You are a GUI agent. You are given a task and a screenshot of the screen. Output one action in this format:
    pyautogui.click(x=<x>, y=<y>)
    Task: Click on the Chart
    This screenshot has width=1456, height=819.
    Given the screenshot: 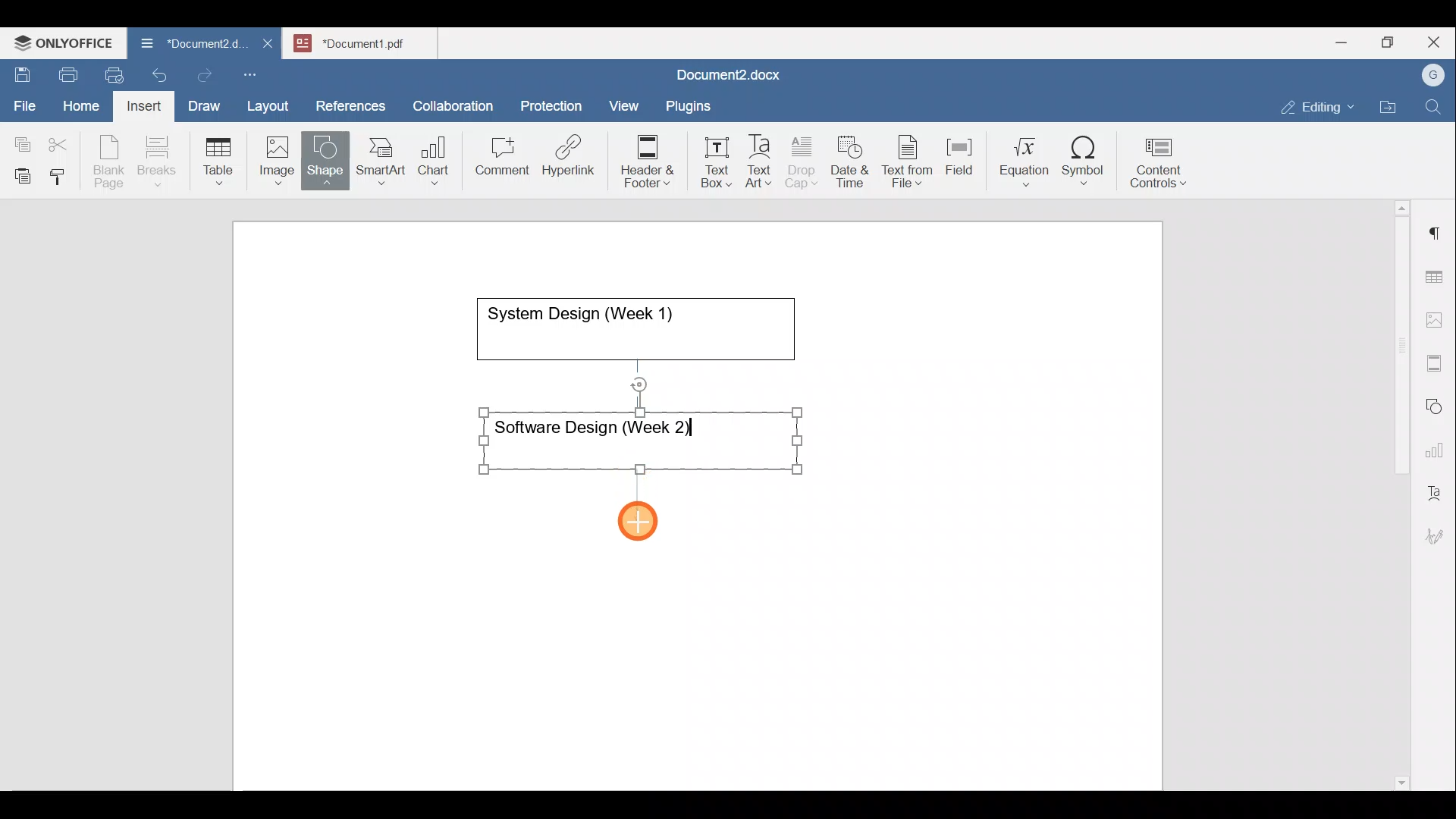 What is the action you would take?
    pyautogui.click(x=431, y=162)
    